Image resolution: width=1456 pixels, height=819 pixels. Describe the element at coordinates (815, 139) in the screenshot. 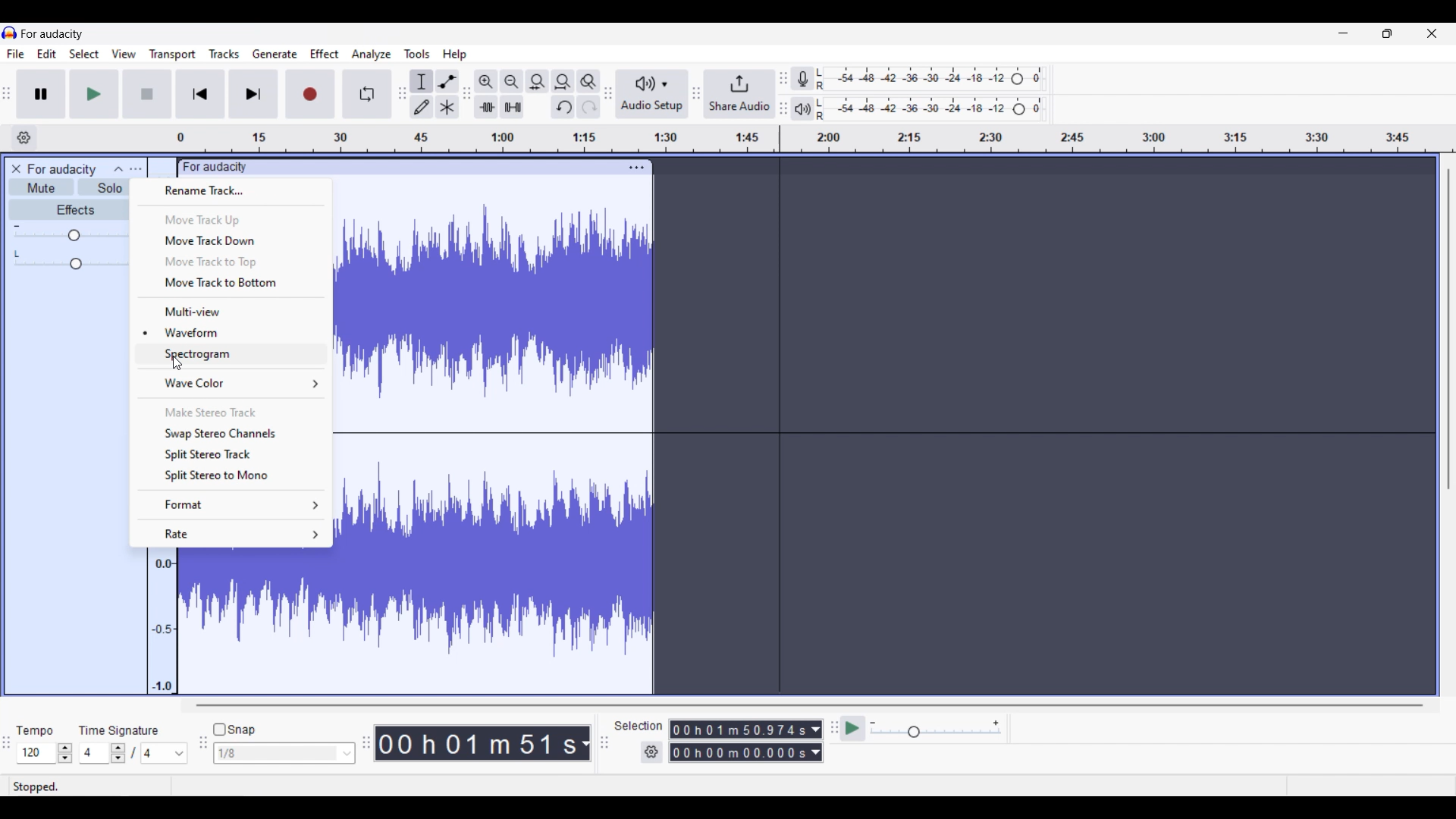

I see `Scale to measure track length` at that location.